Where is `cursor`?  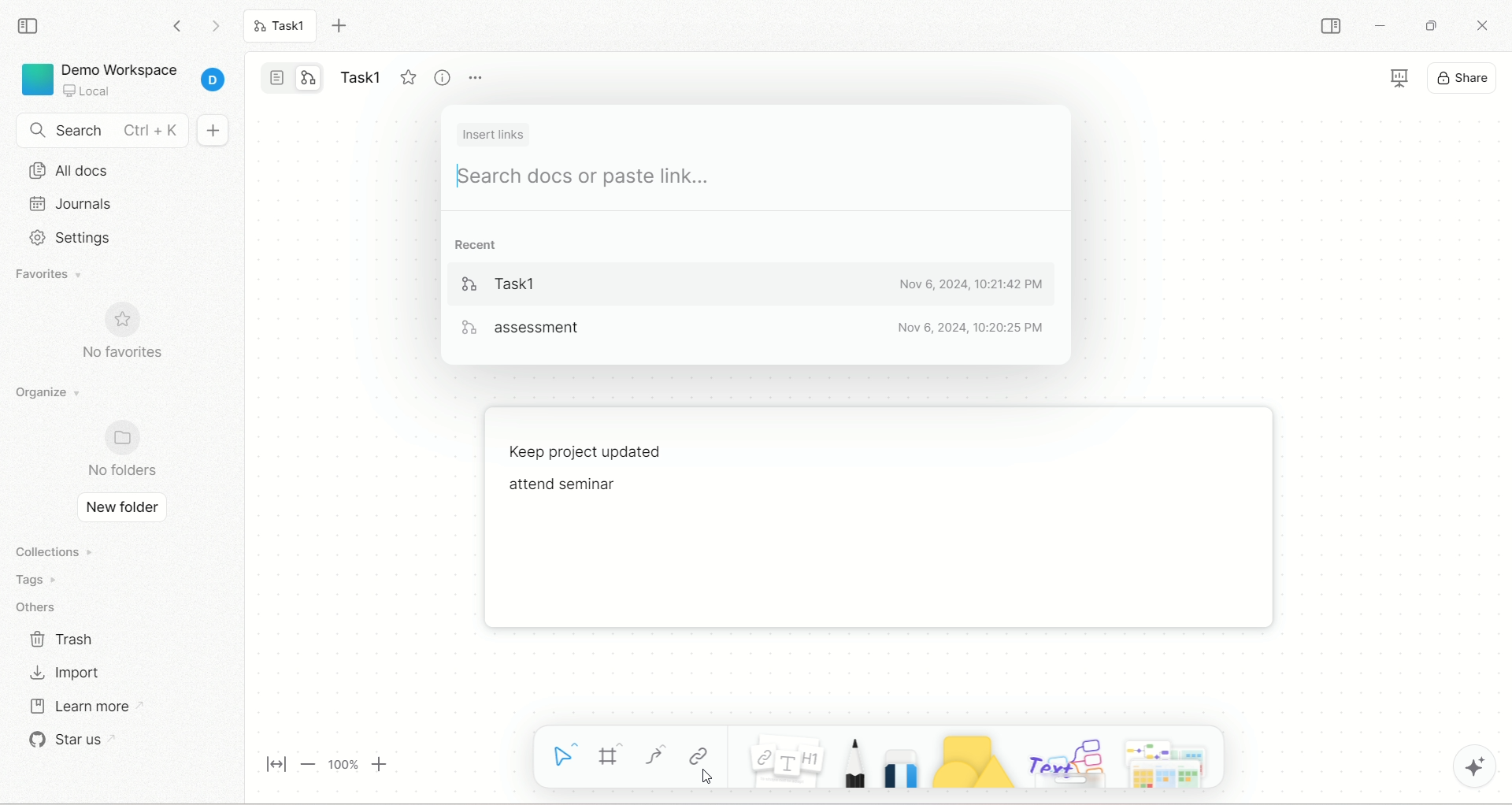 cursor is located at coordinates (706, 779).